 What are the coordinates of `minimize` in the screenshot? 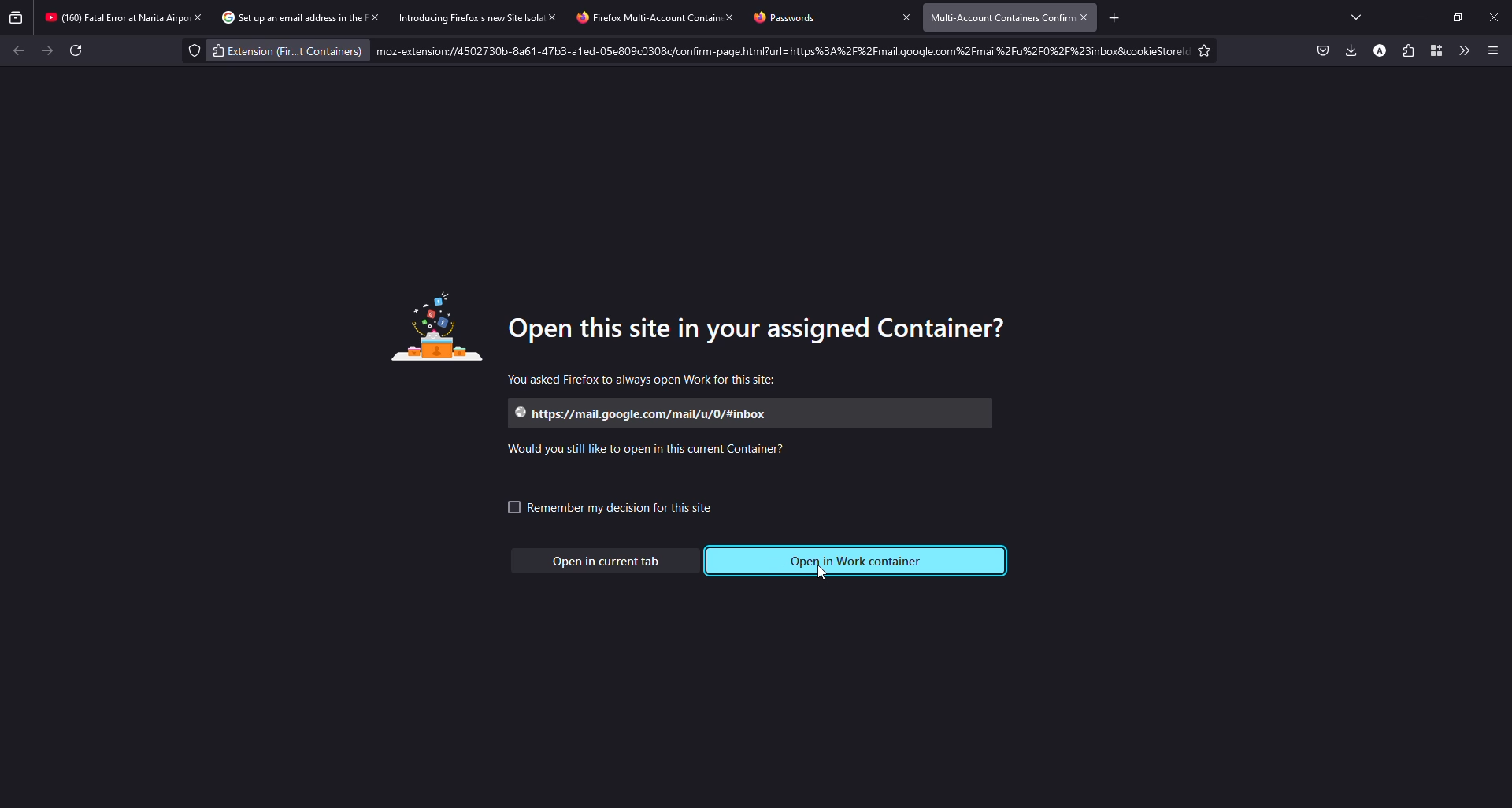 It's located at (1414, 17).